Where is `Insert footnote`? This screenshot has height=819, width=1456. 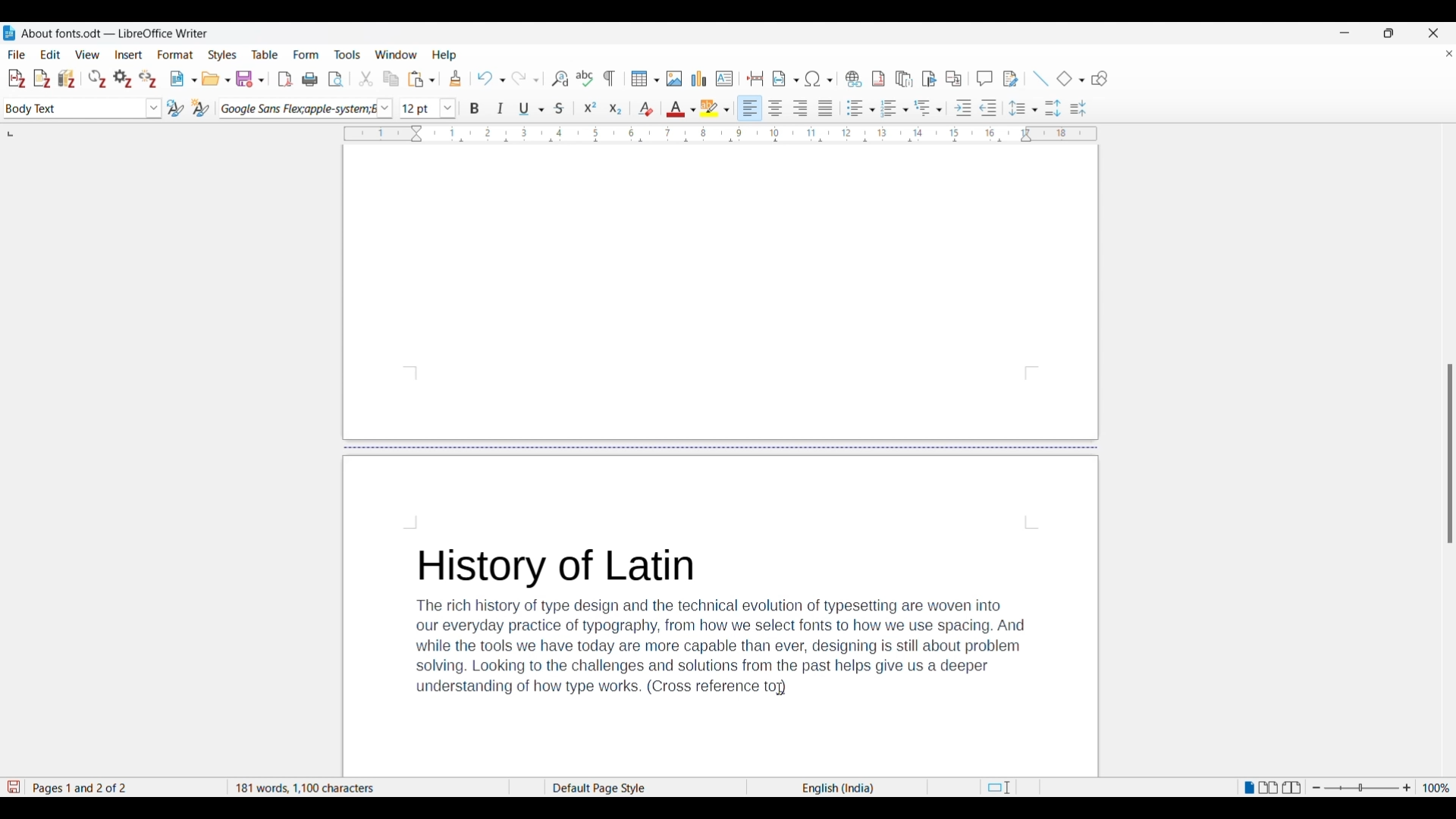 Insert footnote is located at coordinates (877, 79).